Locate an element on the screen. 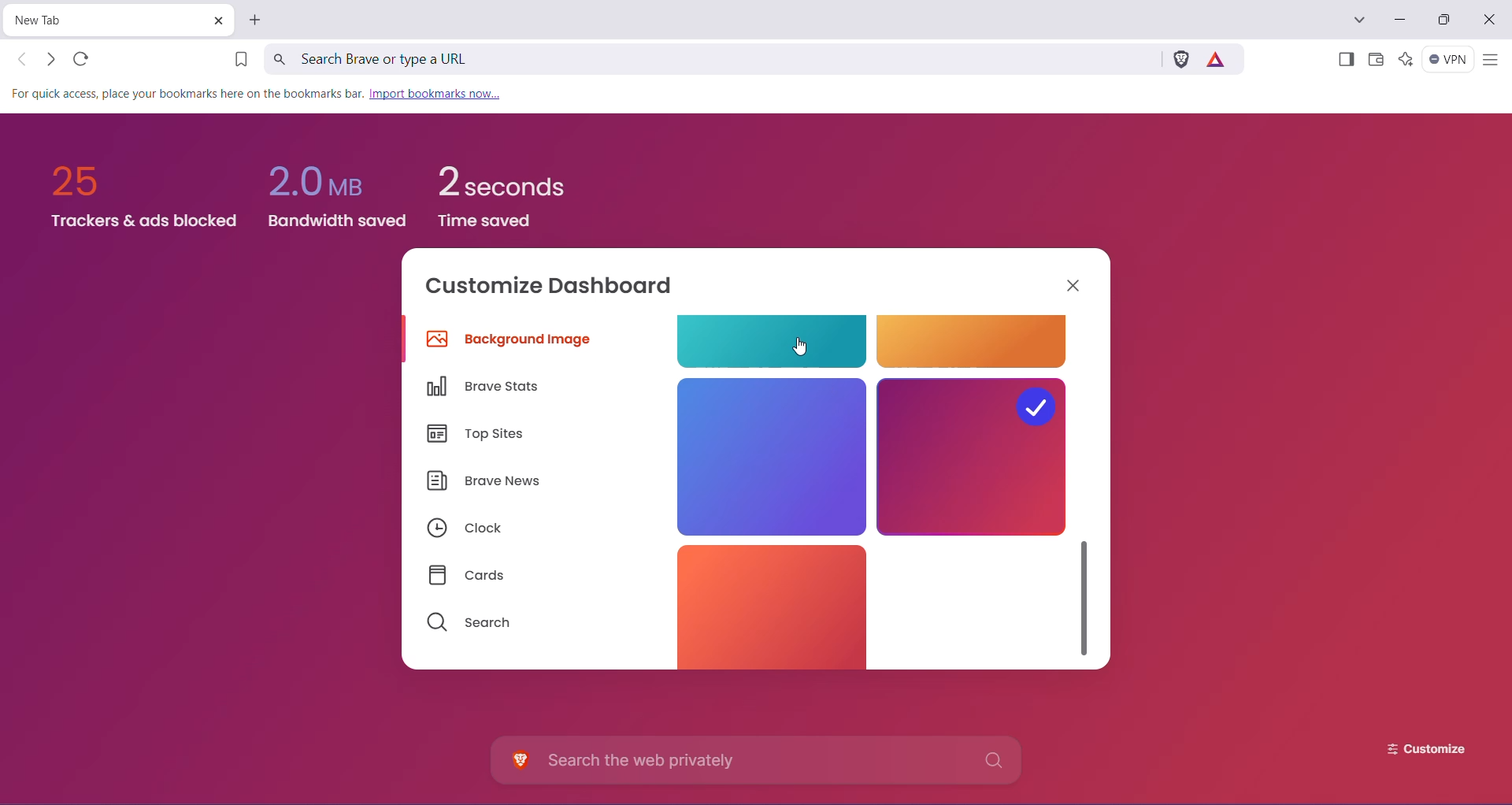  Top Sites is located at coordinates (480, 436).